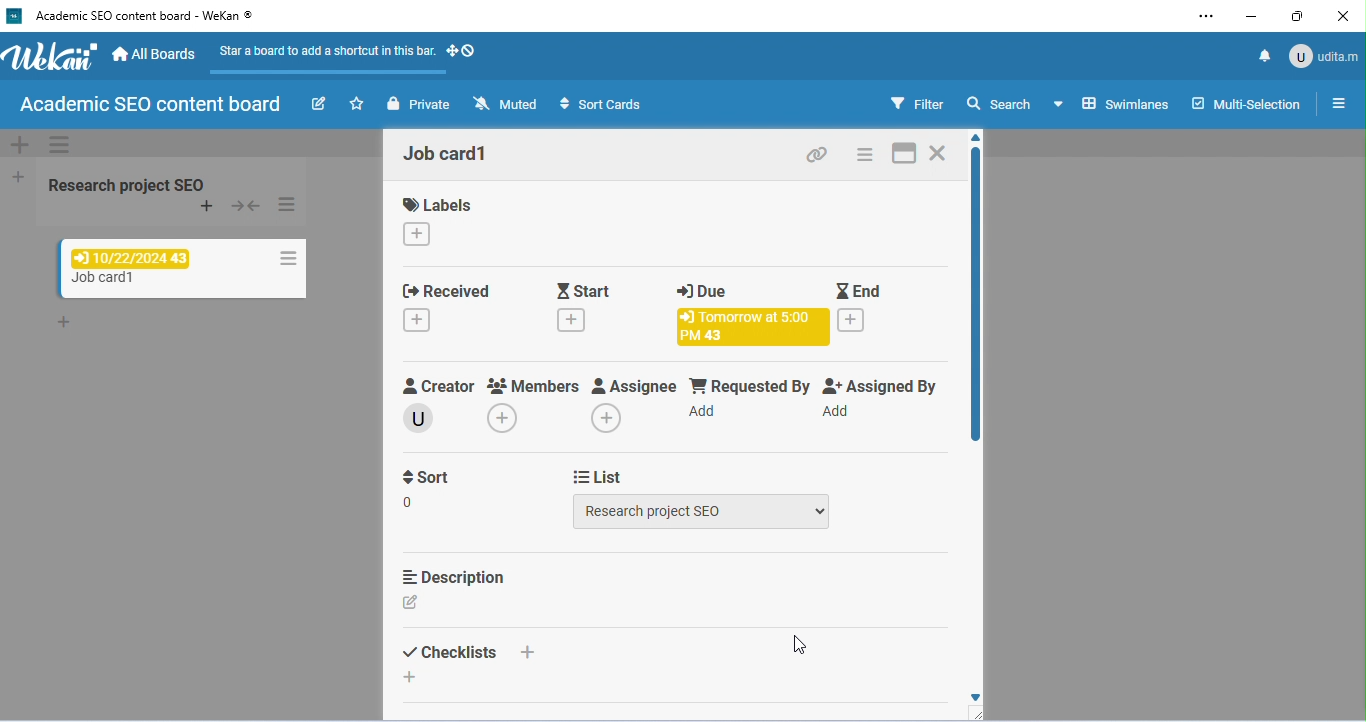 The image size is (1366, 722). Describe the element at coordinates (245, 207) in the screenshot. I see `collapse` at that location.